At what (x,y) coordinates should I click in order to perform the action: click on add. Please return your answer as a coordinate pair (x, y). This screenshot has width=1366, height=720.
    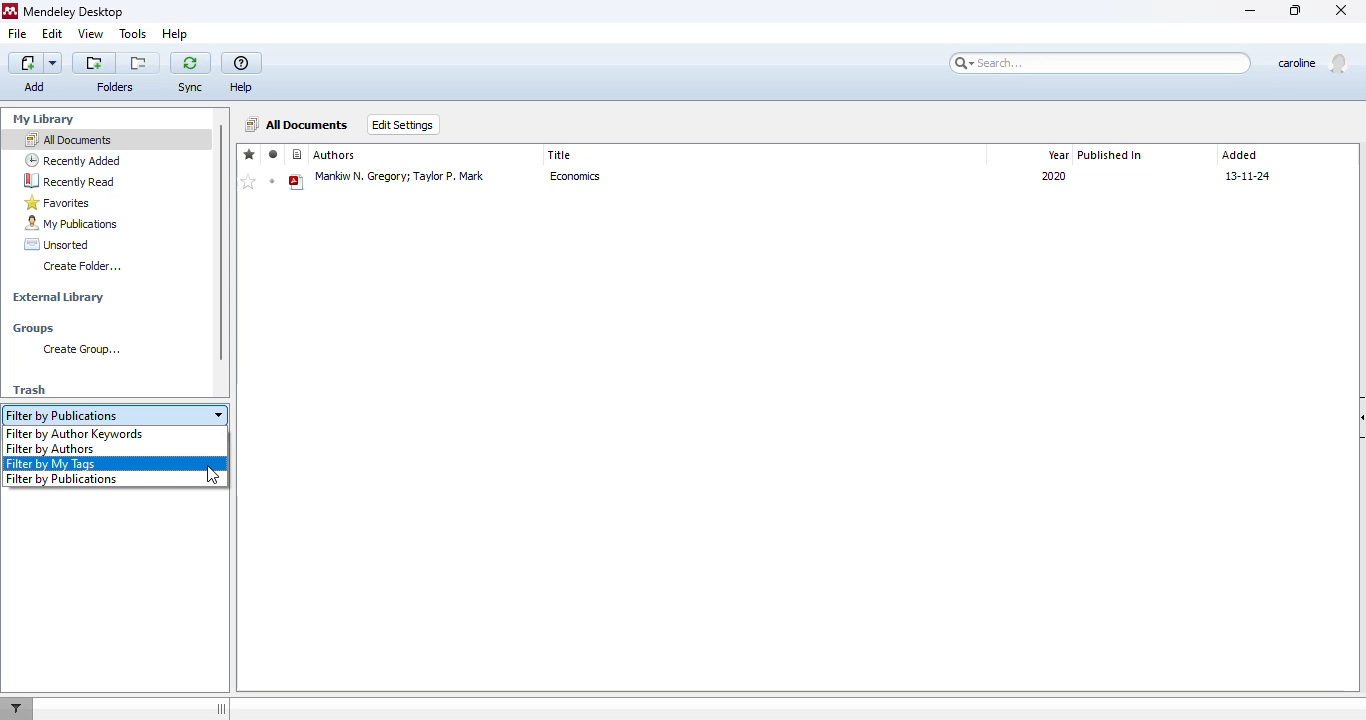
    Looking at the image, I should click on (36, 73).